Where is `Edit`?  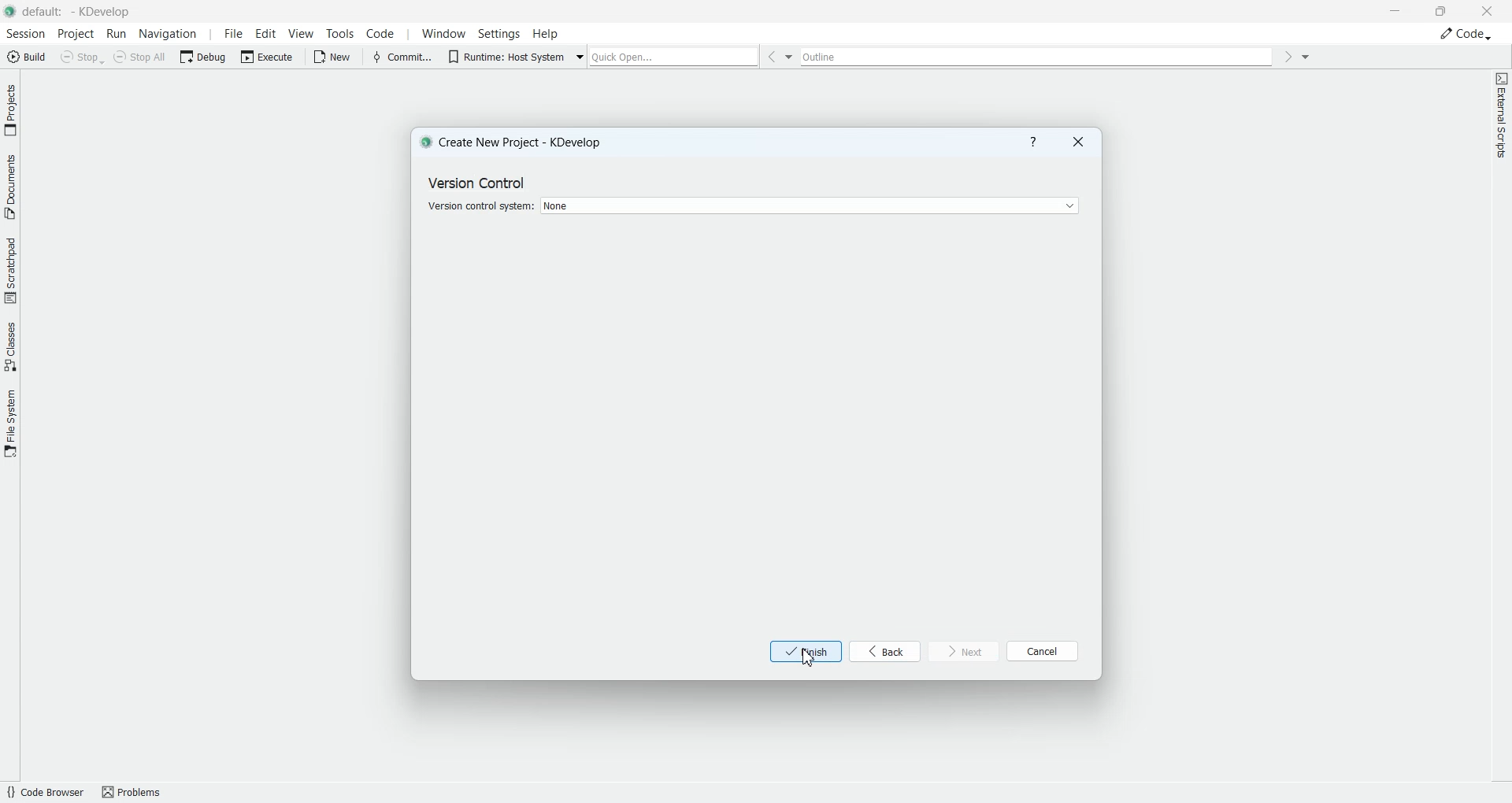
Edit is located at coordinates (266, 33).